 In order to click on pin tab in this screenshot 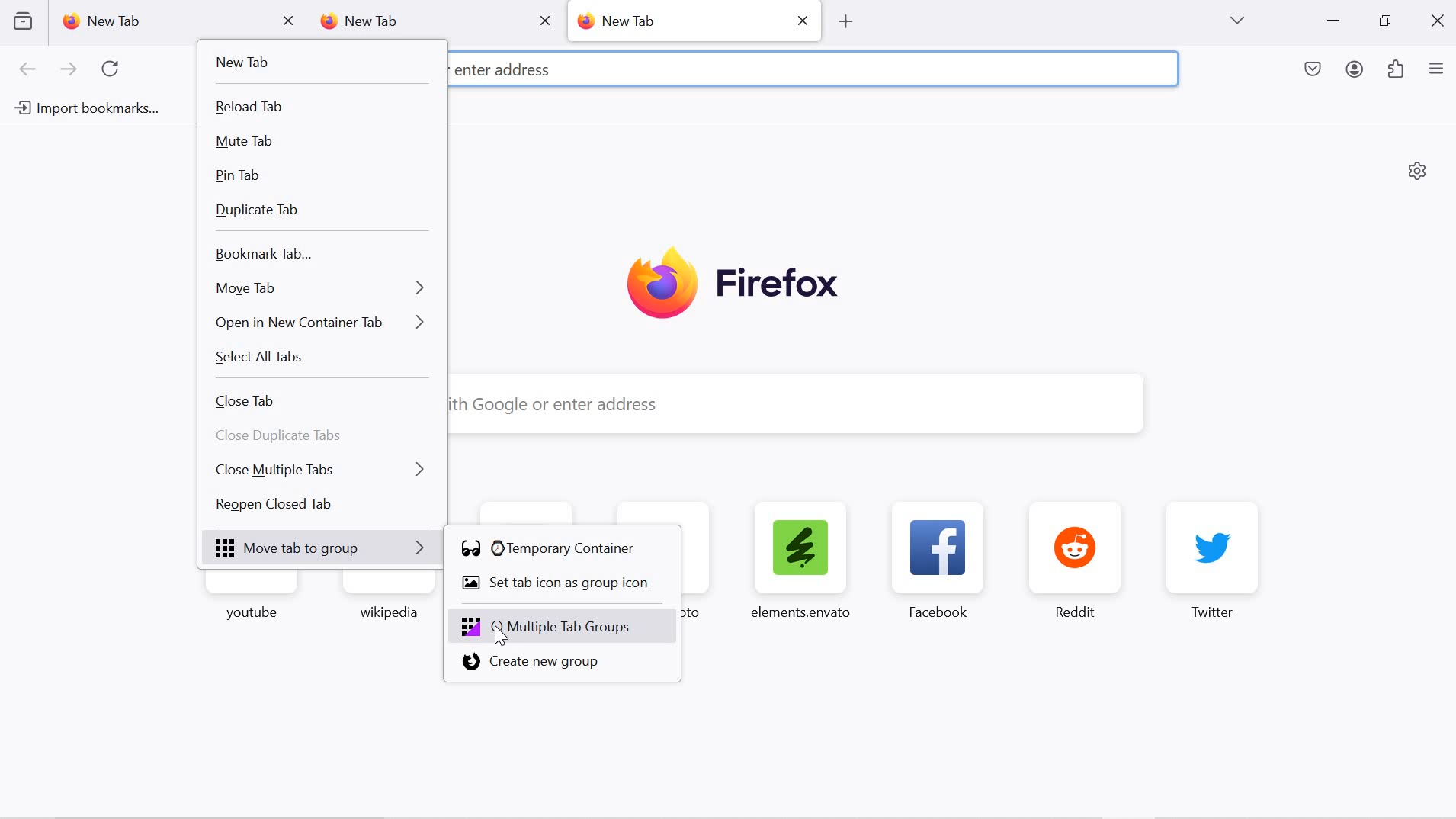, I will do `click(322, 176)`.